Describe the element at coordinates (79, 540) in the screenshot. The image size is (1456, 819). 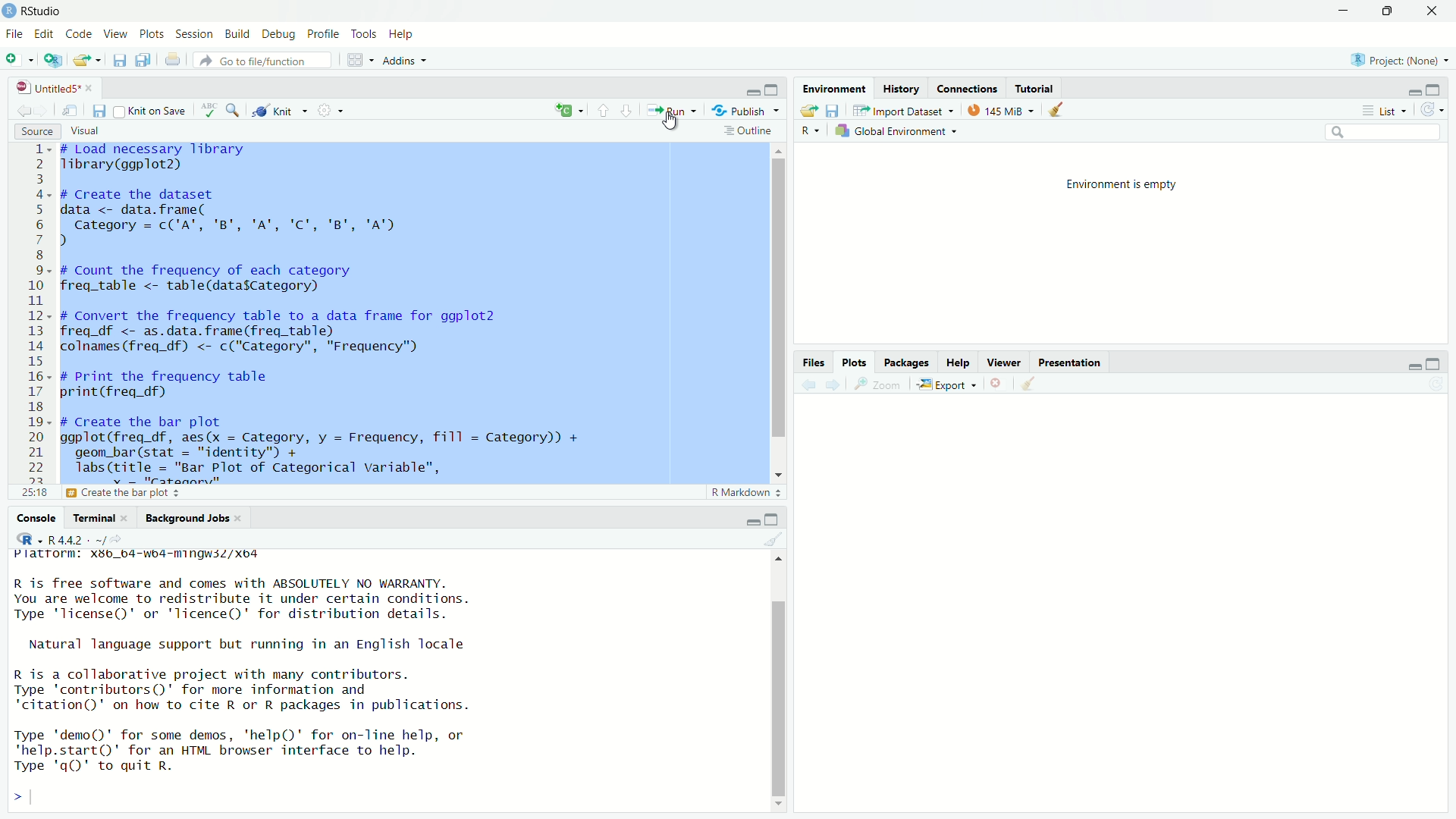
I see `R 4.4.2 . ~/` at that location.